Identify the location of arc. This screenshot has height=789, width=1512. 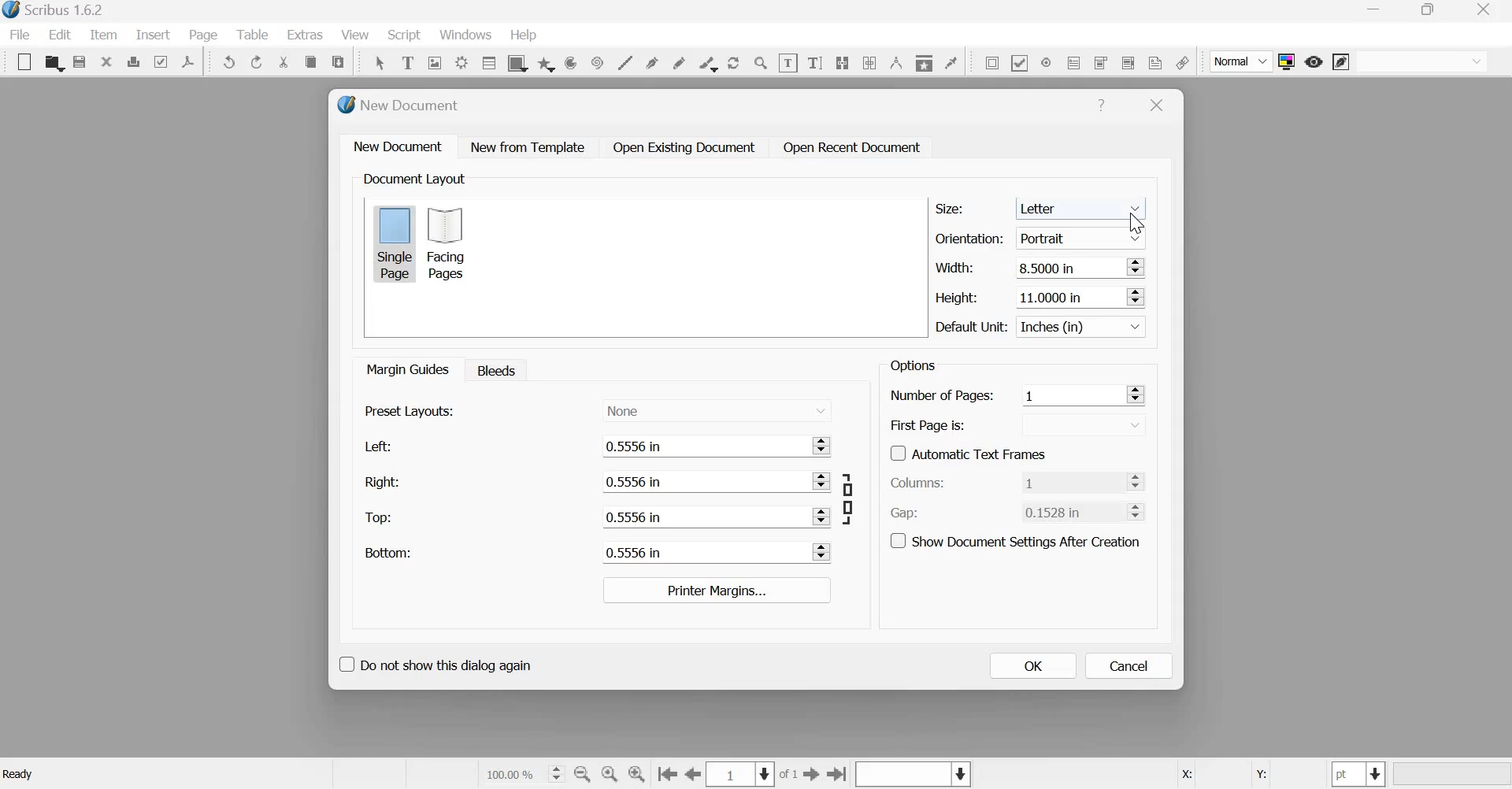
(546, 62).